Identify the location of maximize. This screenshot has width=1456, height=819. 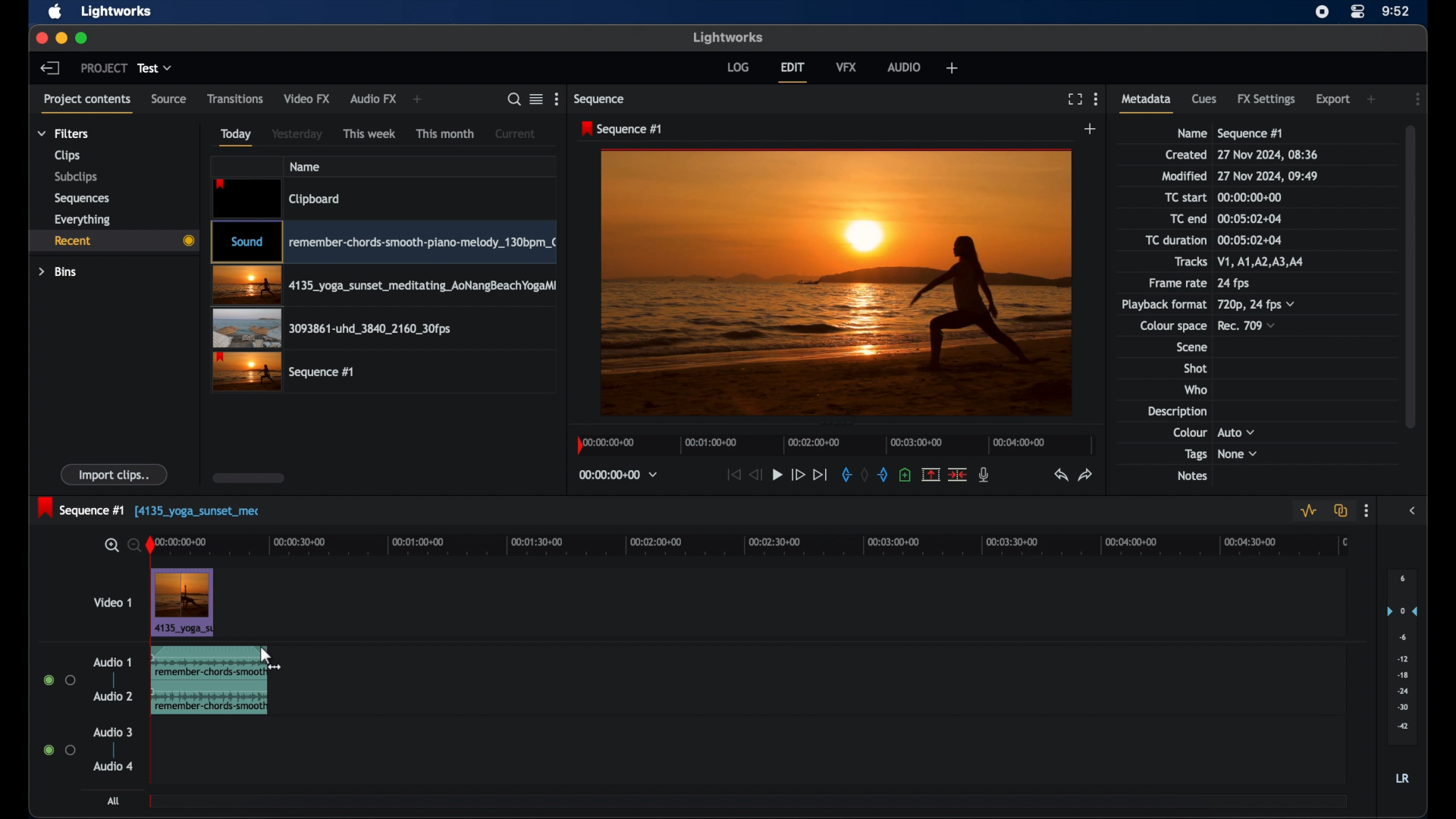
(83, 38).